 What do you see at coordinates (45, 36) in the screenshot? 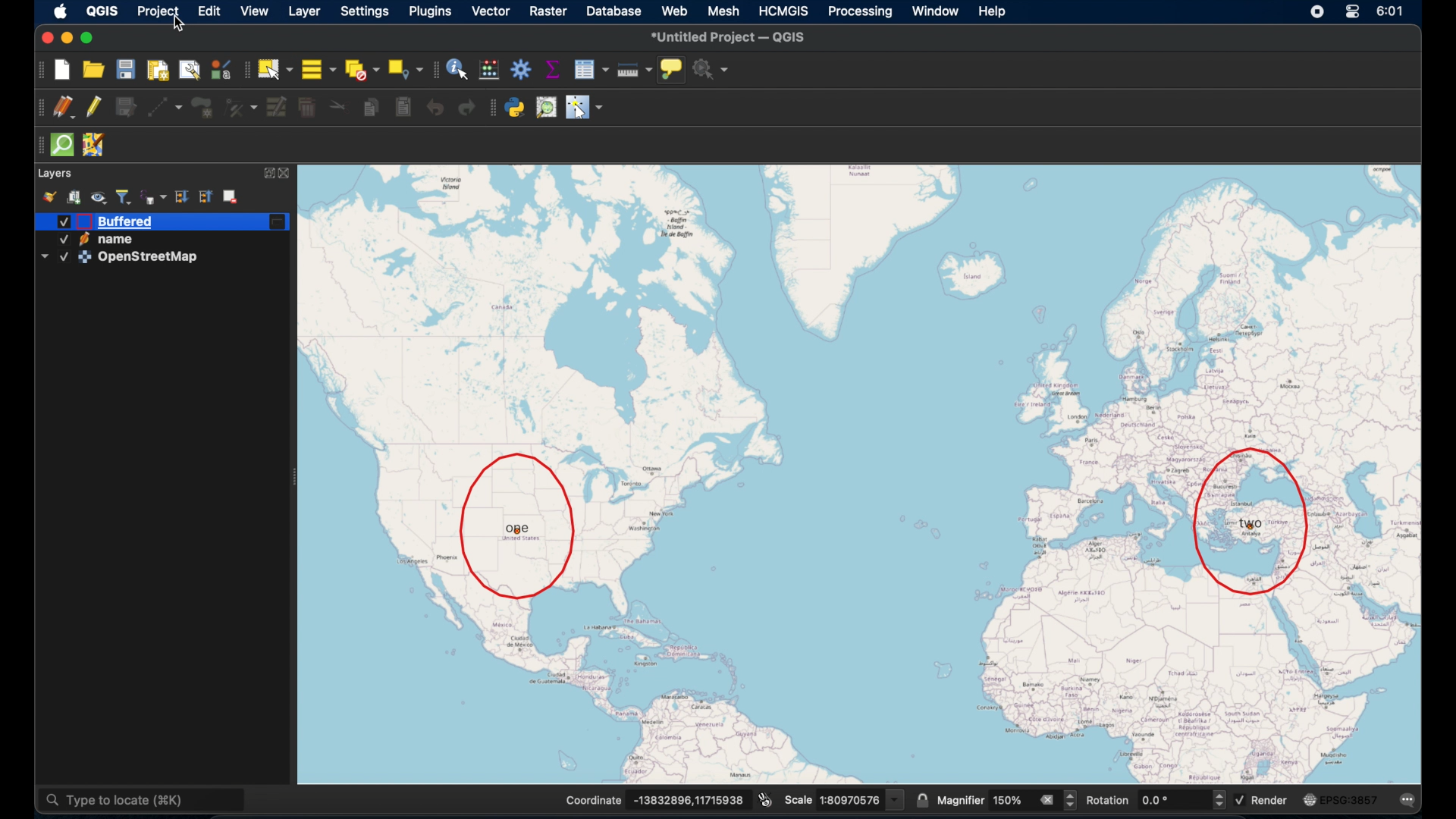
I see `close` at bounding box center [45, 36].